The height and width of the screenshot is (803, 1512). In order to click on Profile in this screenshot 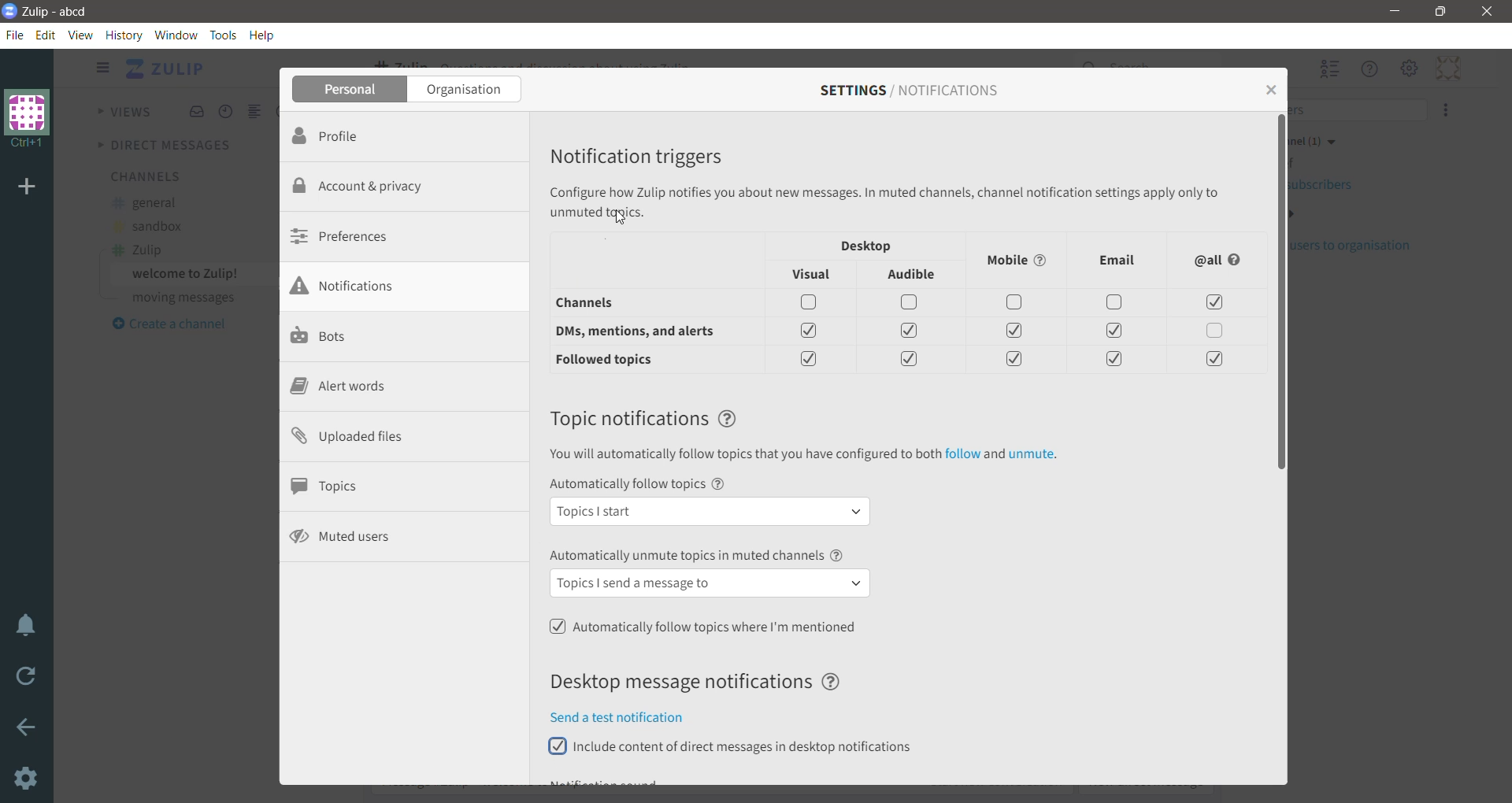, I will do `click(350, 136)`.